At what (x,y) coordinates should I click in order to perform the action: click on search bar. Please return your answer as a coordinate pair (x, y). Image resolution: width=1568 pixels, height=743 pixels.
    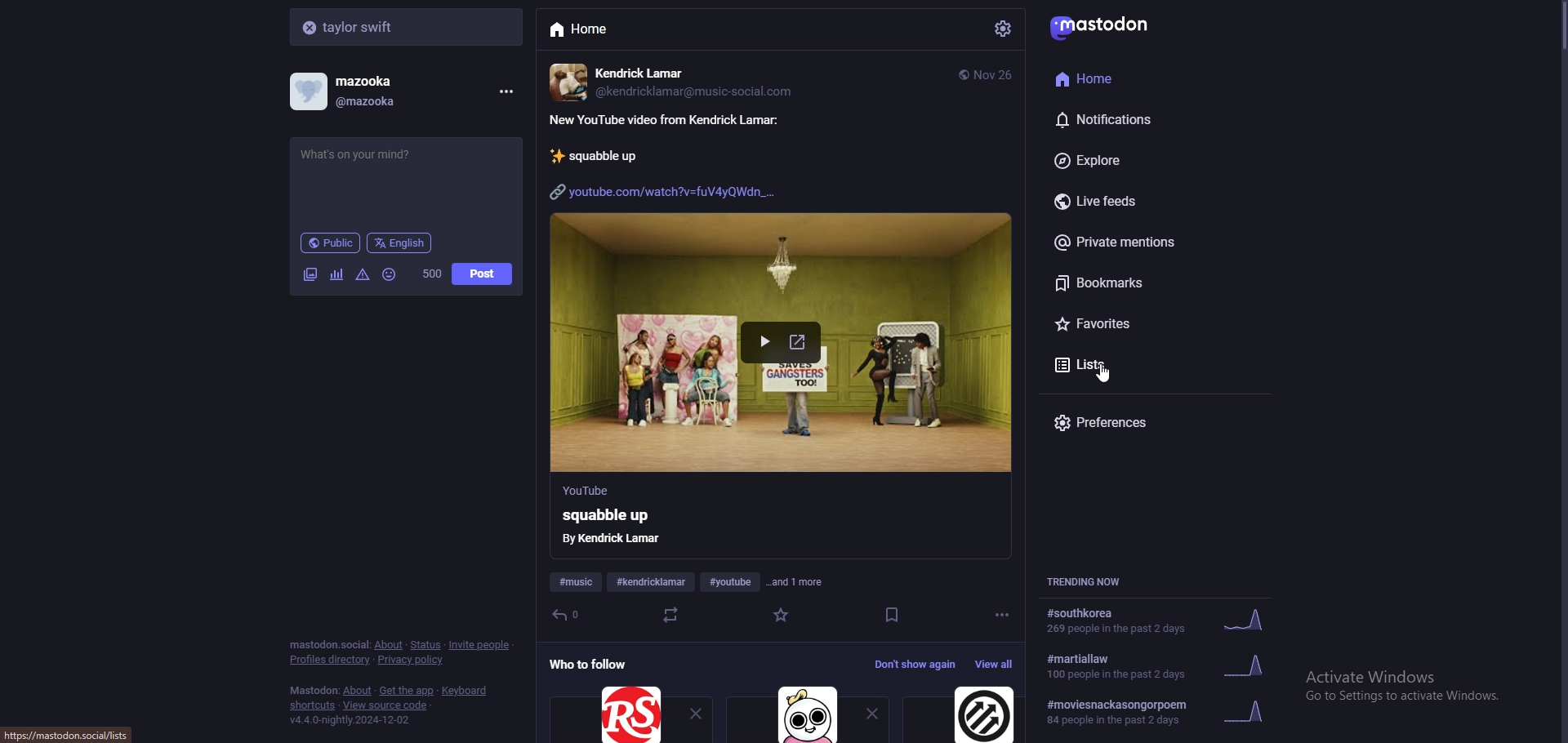
    Looking at the image, I should click on (408, 26).